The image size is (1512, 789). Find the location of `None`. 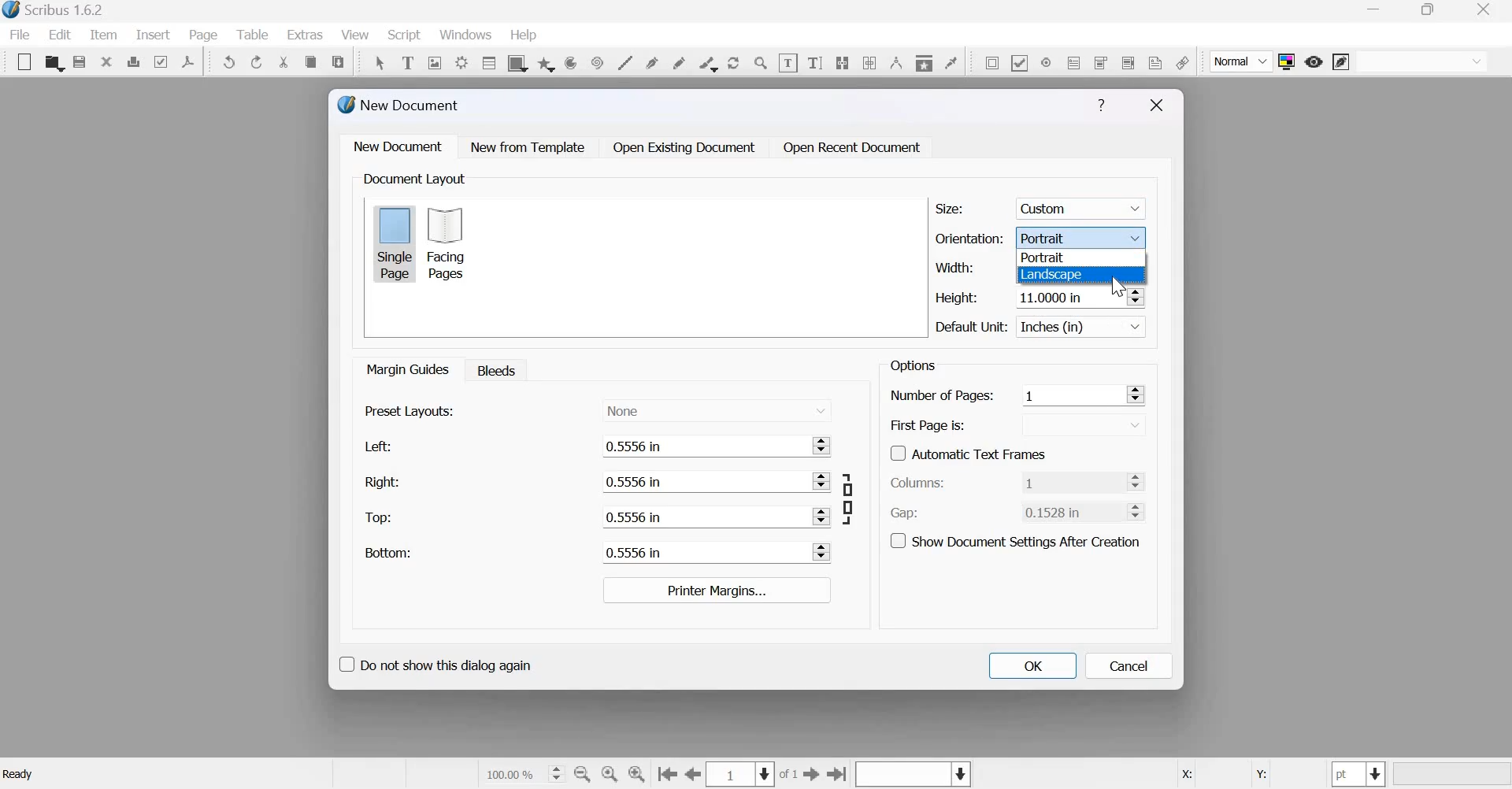

None is located at coordinates (717, 409).